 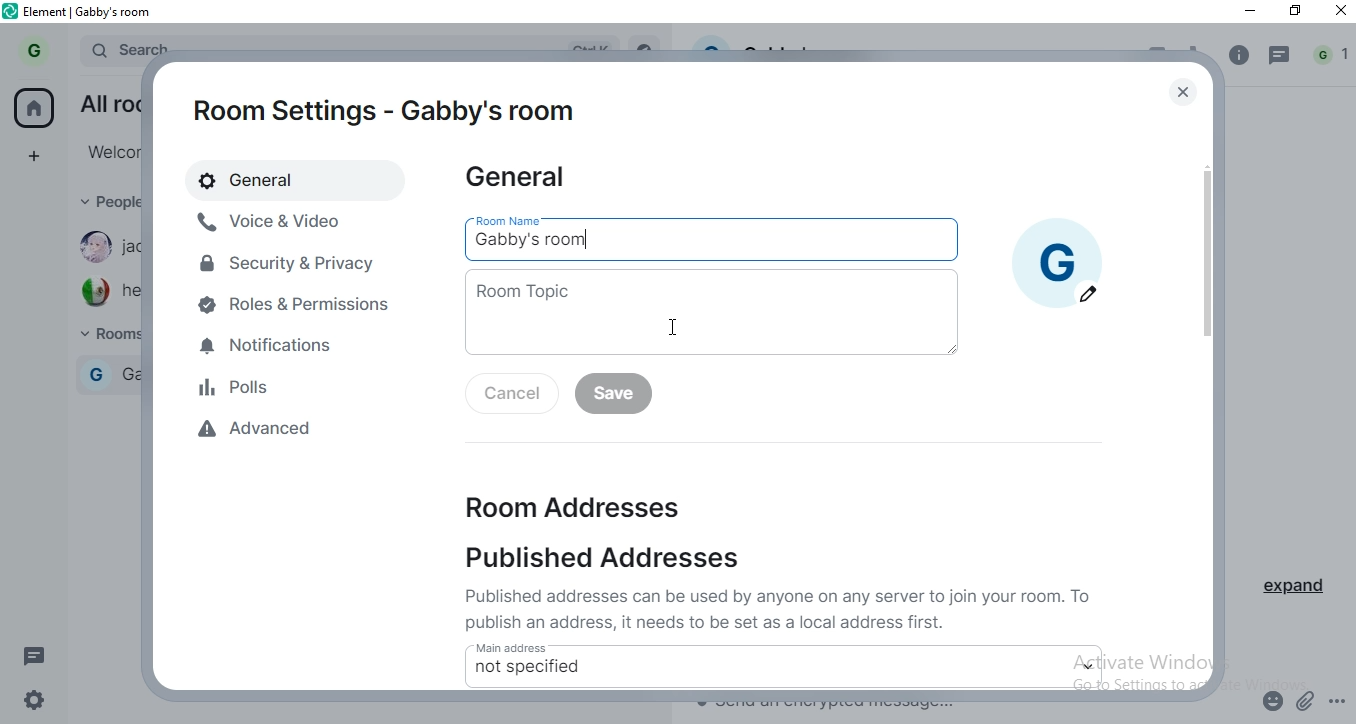 I want to click on roles & permissions, so click(x=298, y=306).